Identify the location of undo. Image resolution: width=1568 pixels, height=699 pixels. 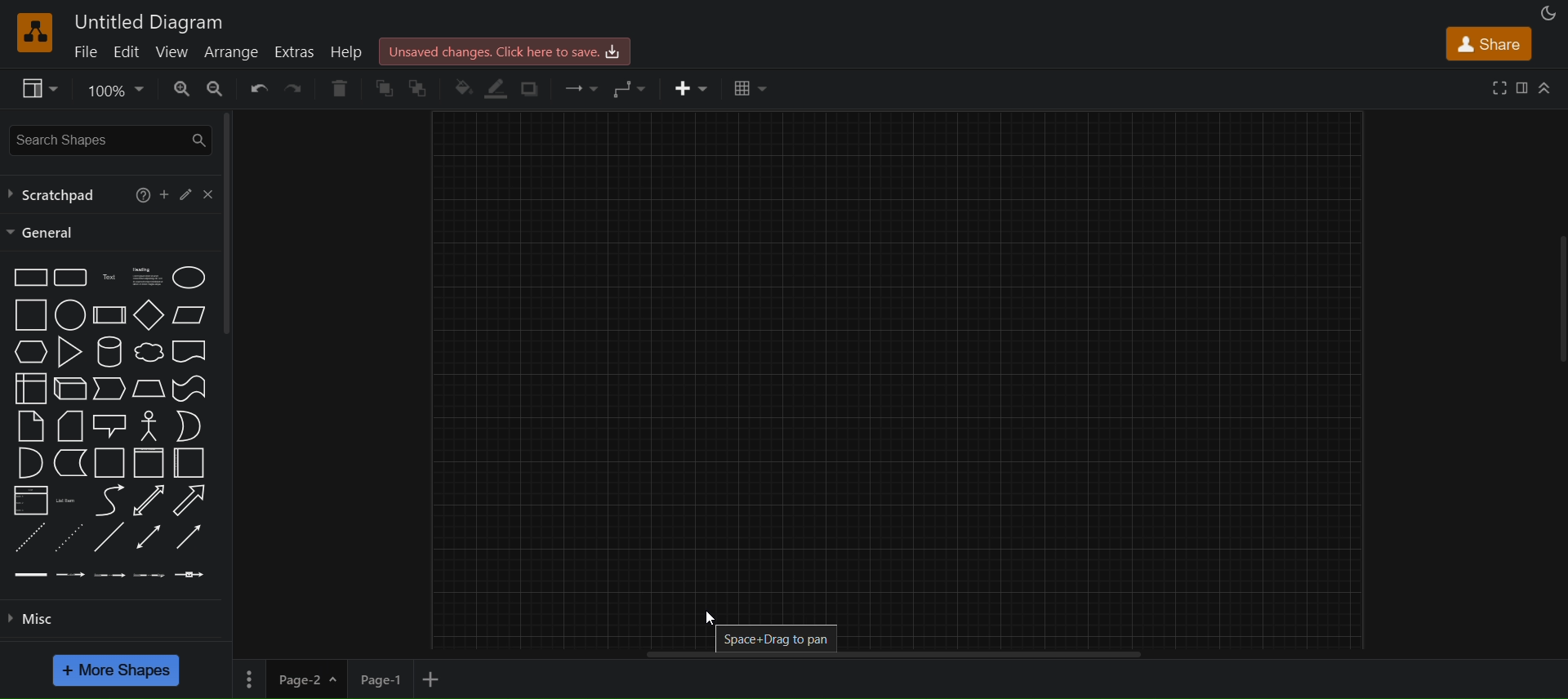
(255, 88).